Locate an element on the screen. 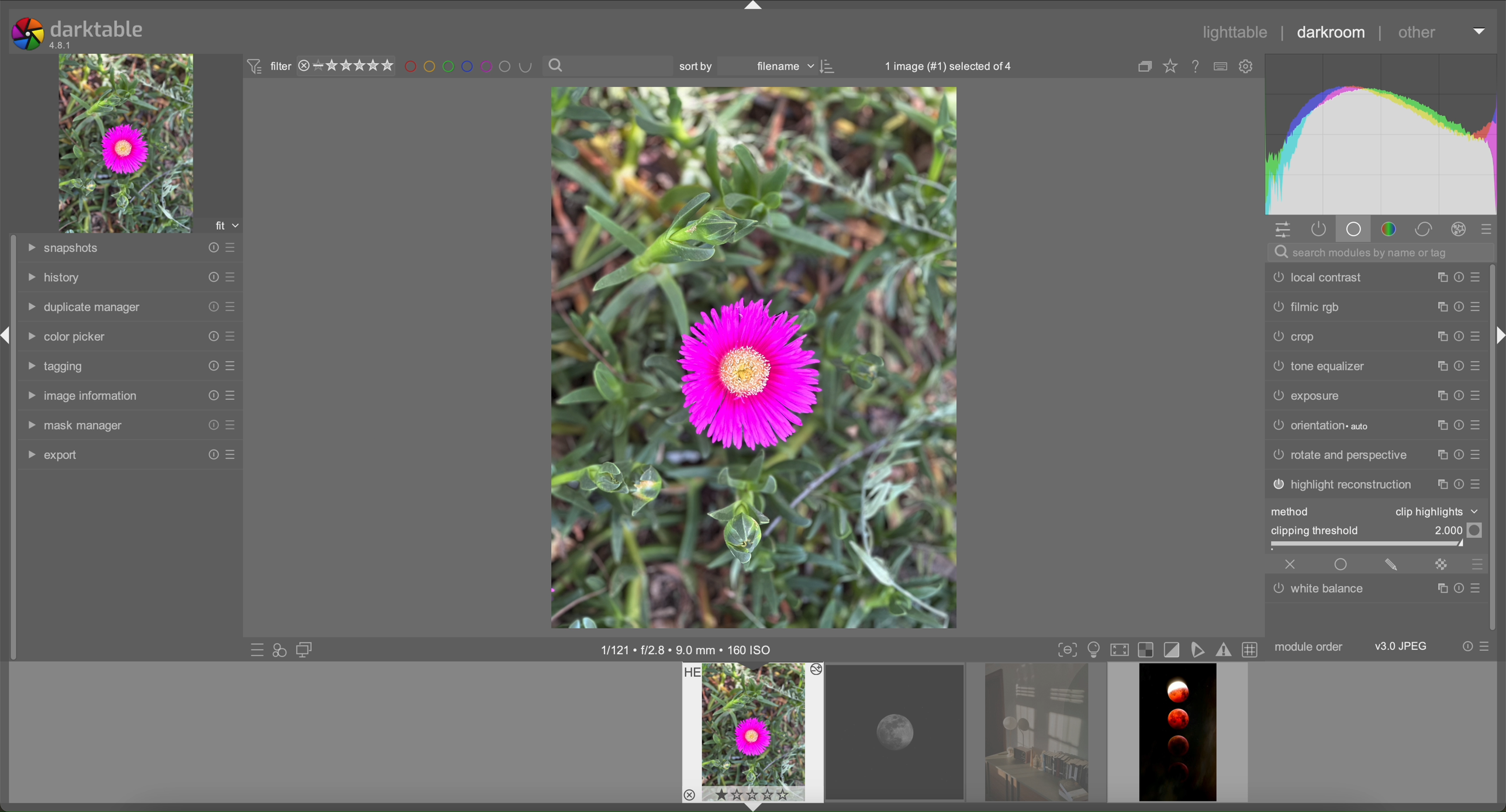  reset presets is located at coordinates (210, 395).